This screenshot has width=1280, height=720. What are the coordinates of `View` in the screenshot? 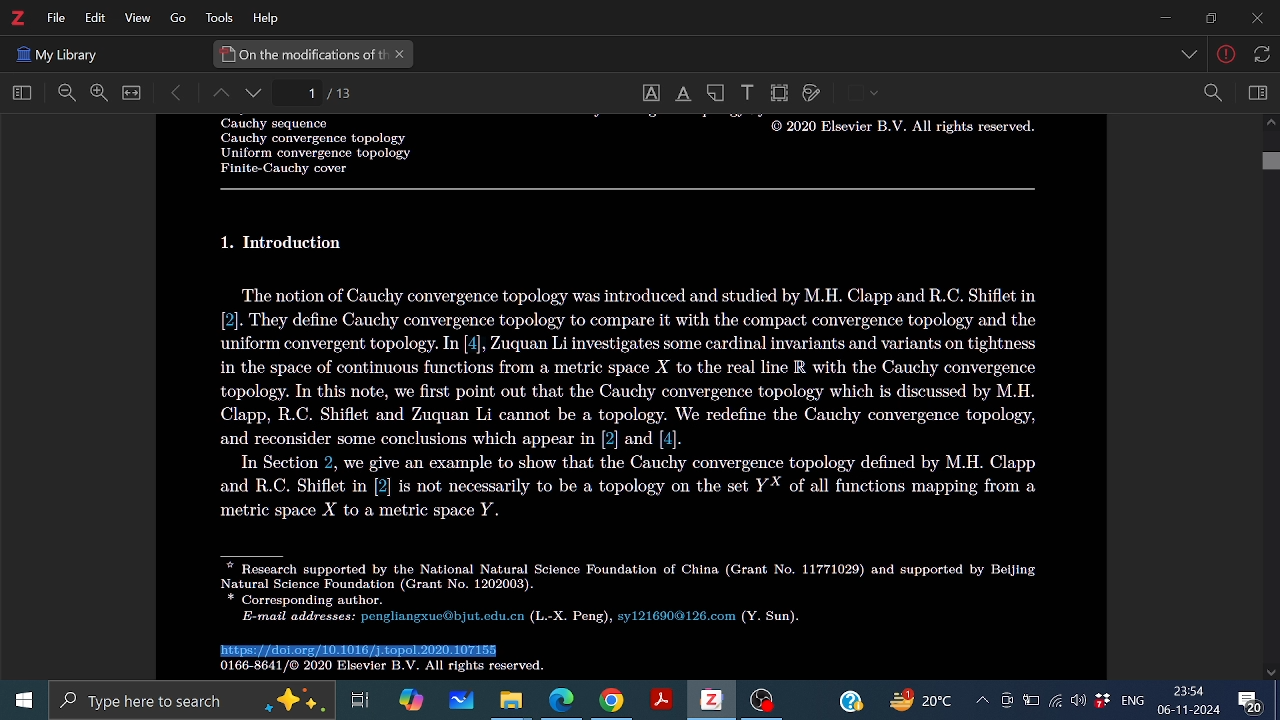 It's located at (135, 19).